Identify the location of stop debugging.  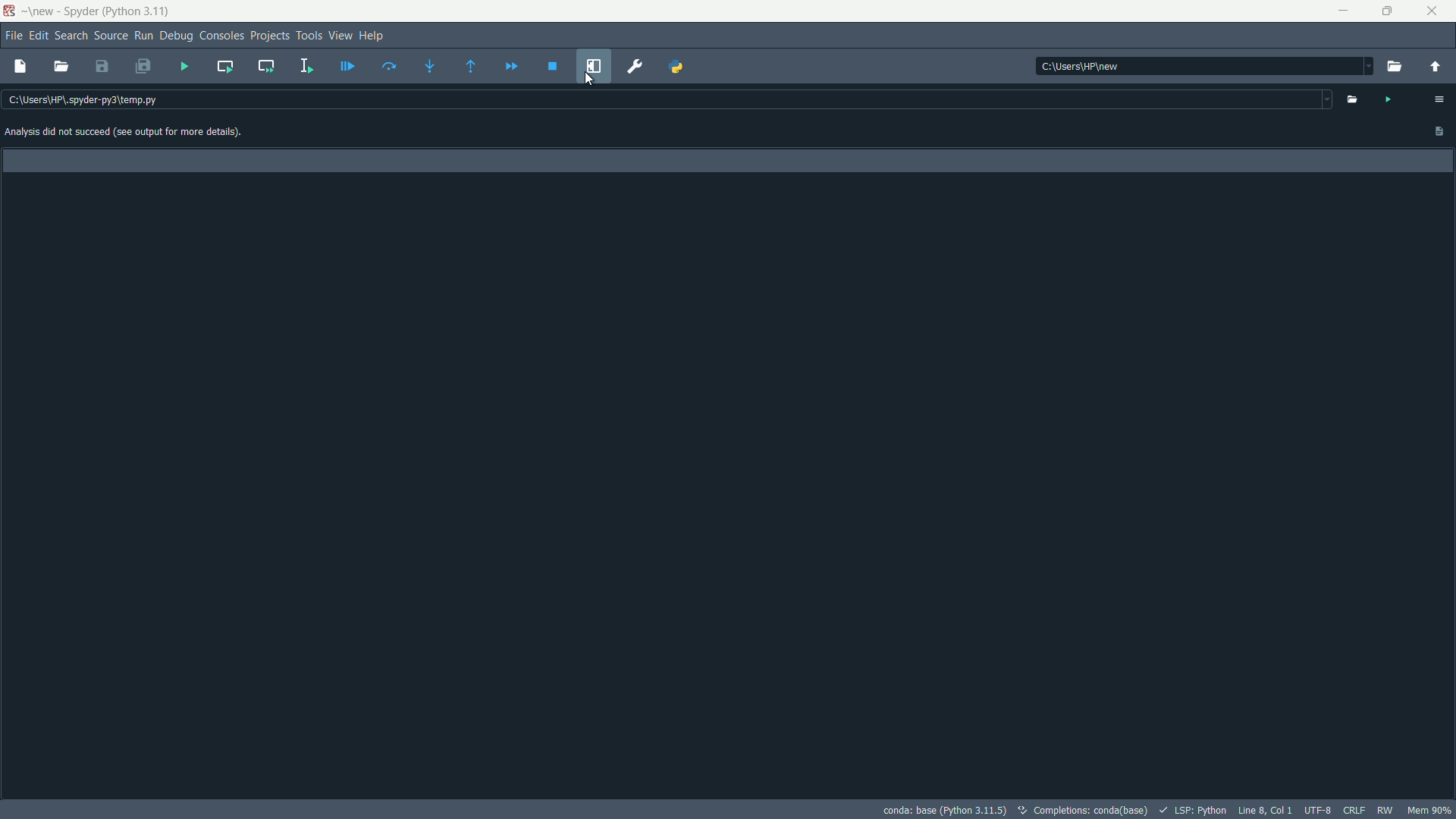
(553, 67).